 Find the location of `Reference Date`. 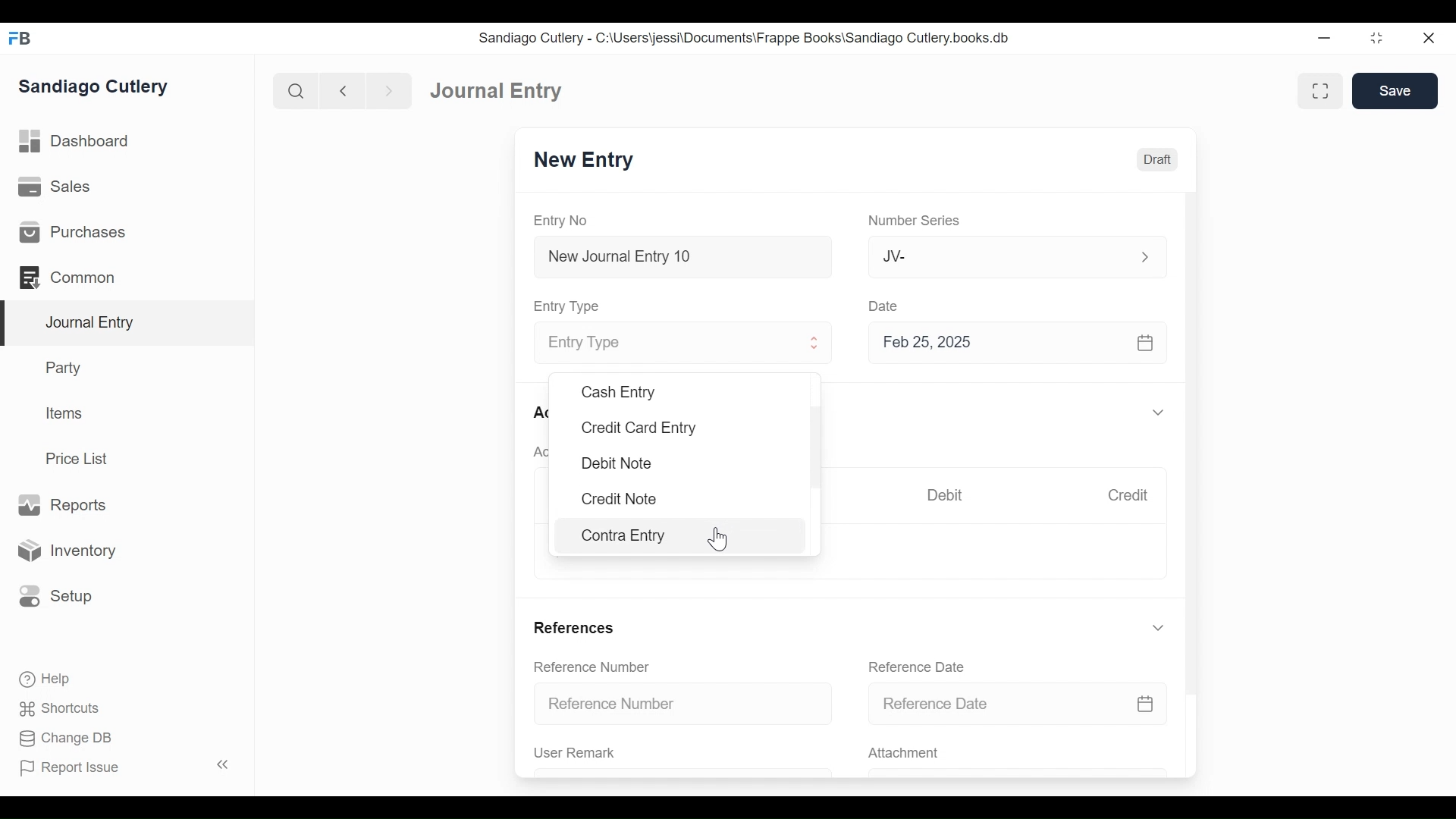

Reference Date is located at coordinates (921, 667).